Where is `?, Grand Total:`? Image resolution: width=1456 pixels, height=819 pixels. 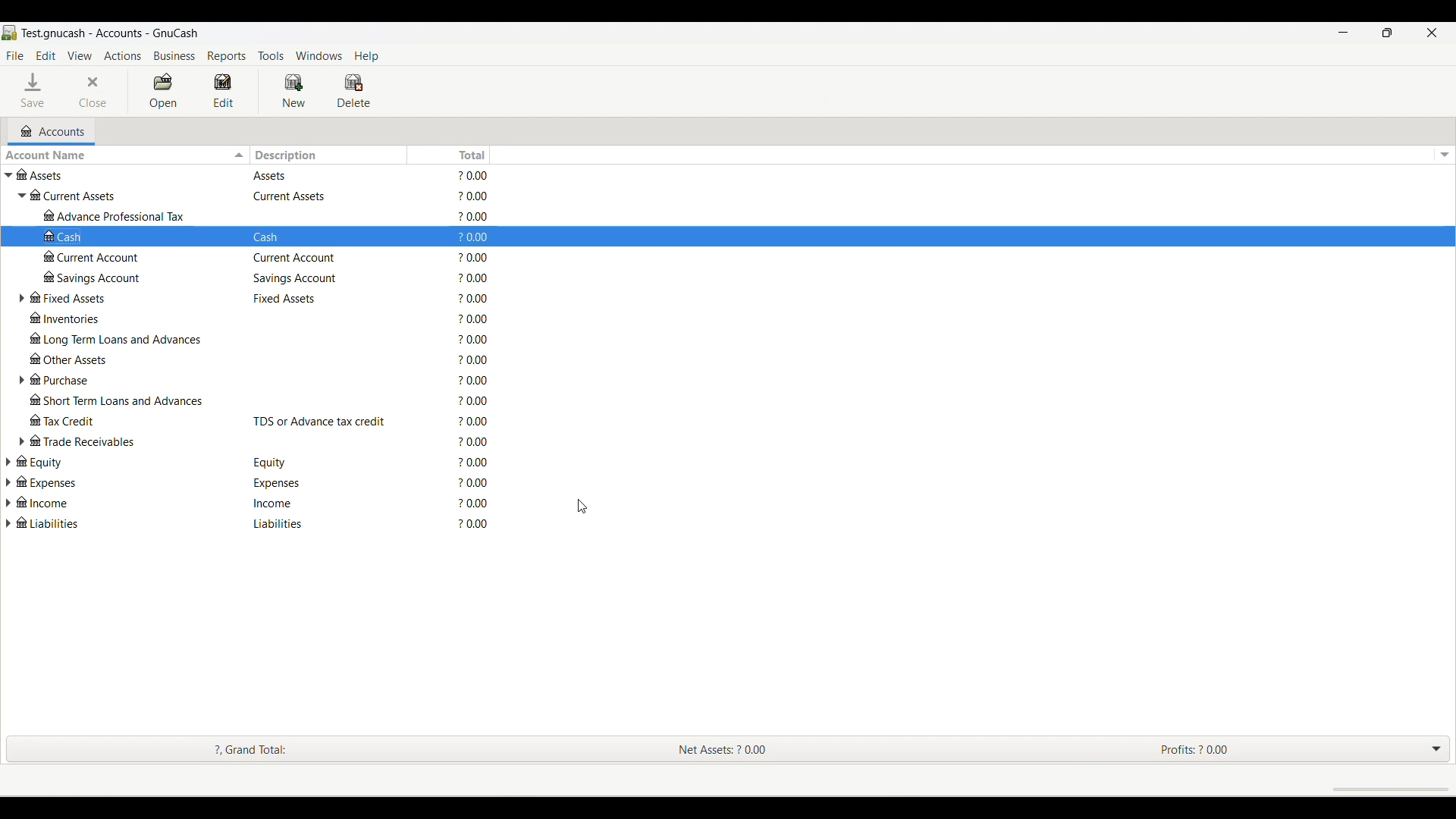 ?, Grand Total: is located at coordinates (256, 750).